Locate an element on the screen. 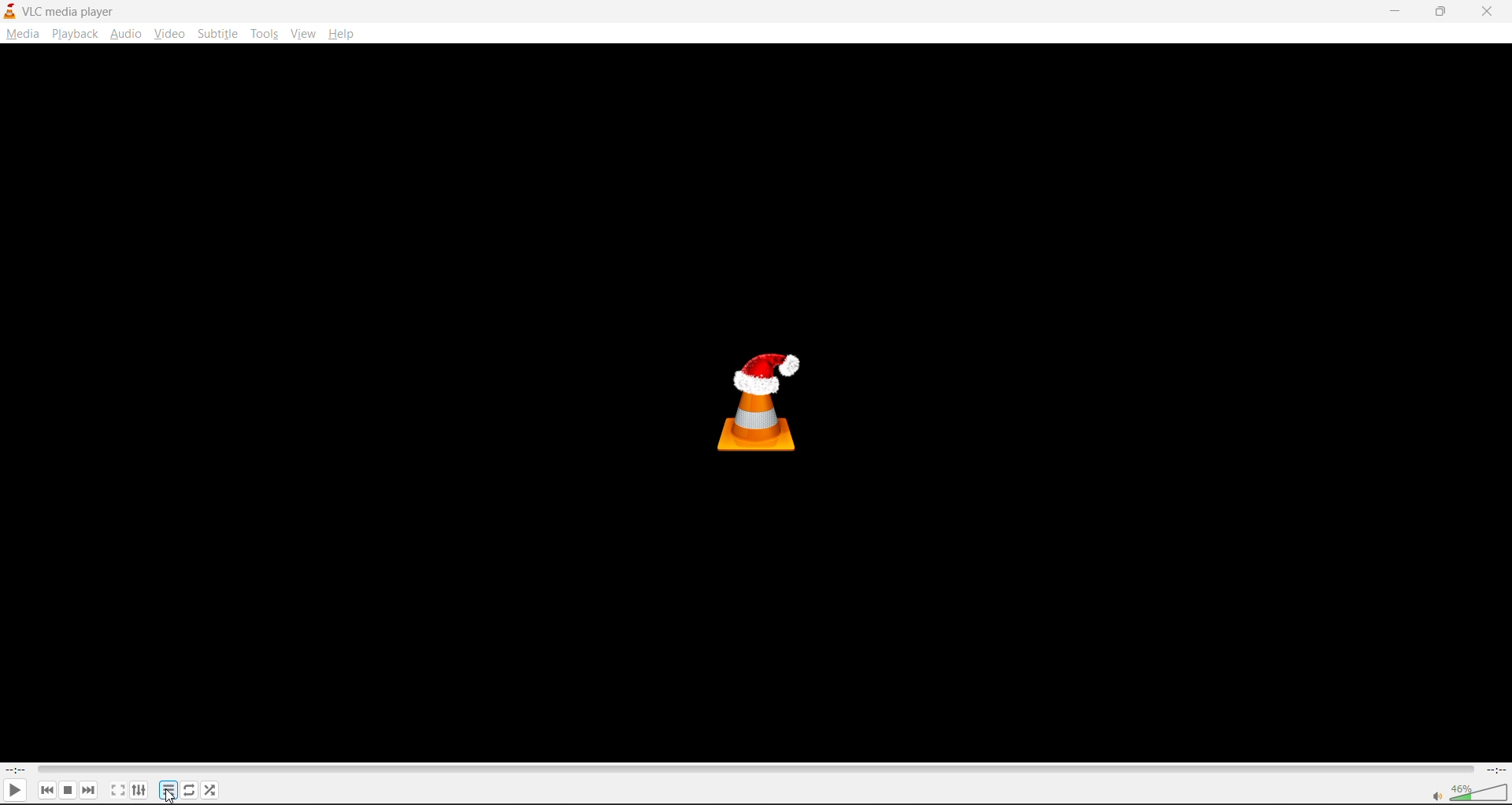 This screenshot has height=805, width=1512. track slider is located at coordinates (750, 770).